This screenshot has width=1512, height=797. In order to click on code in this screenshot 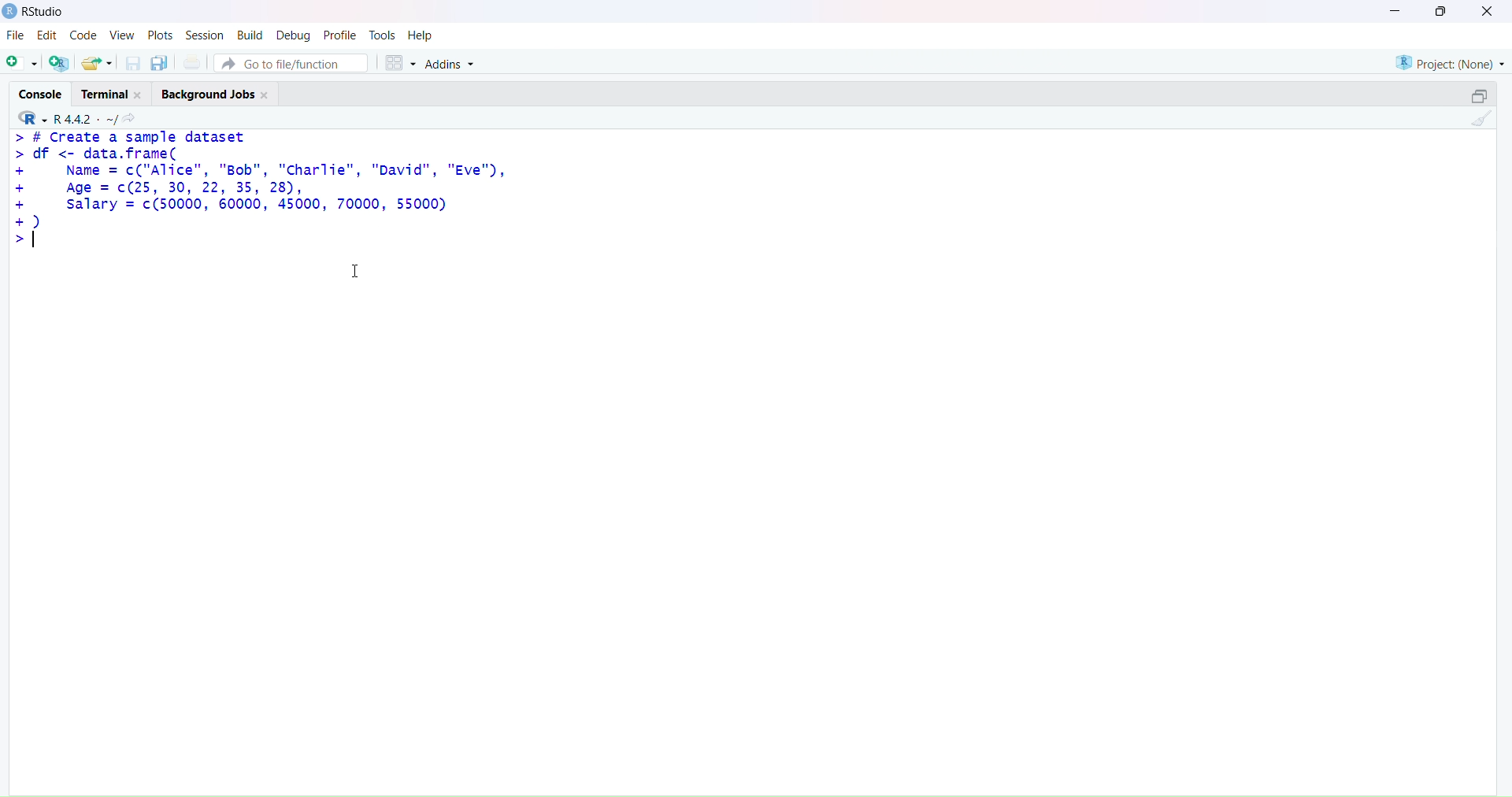, I will do `click(86, 35)`.